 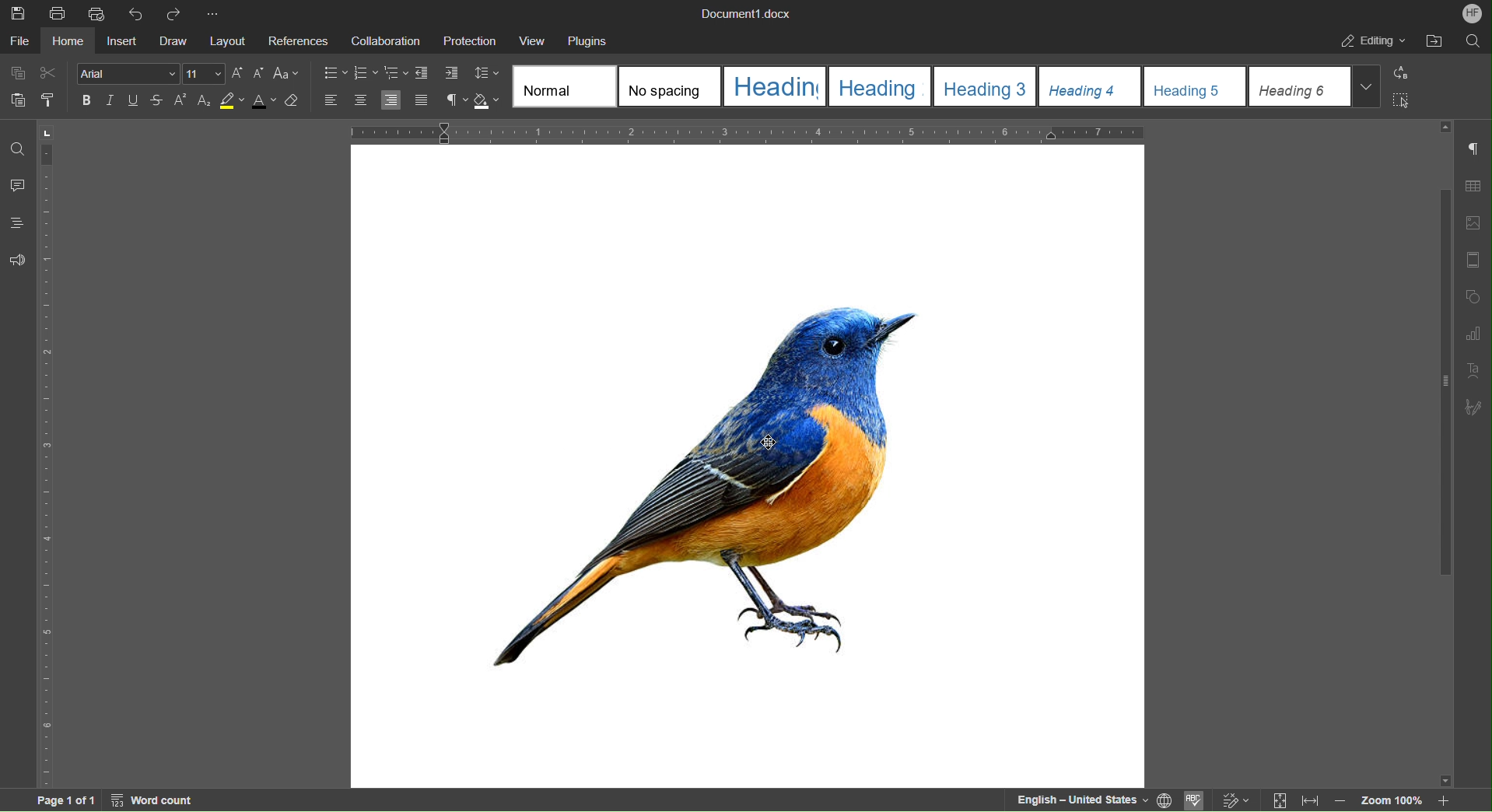 What do you see at coordinates (423, 72) in the screenshot?
I see `Decrease Indent` at bounding box center [423, 72].